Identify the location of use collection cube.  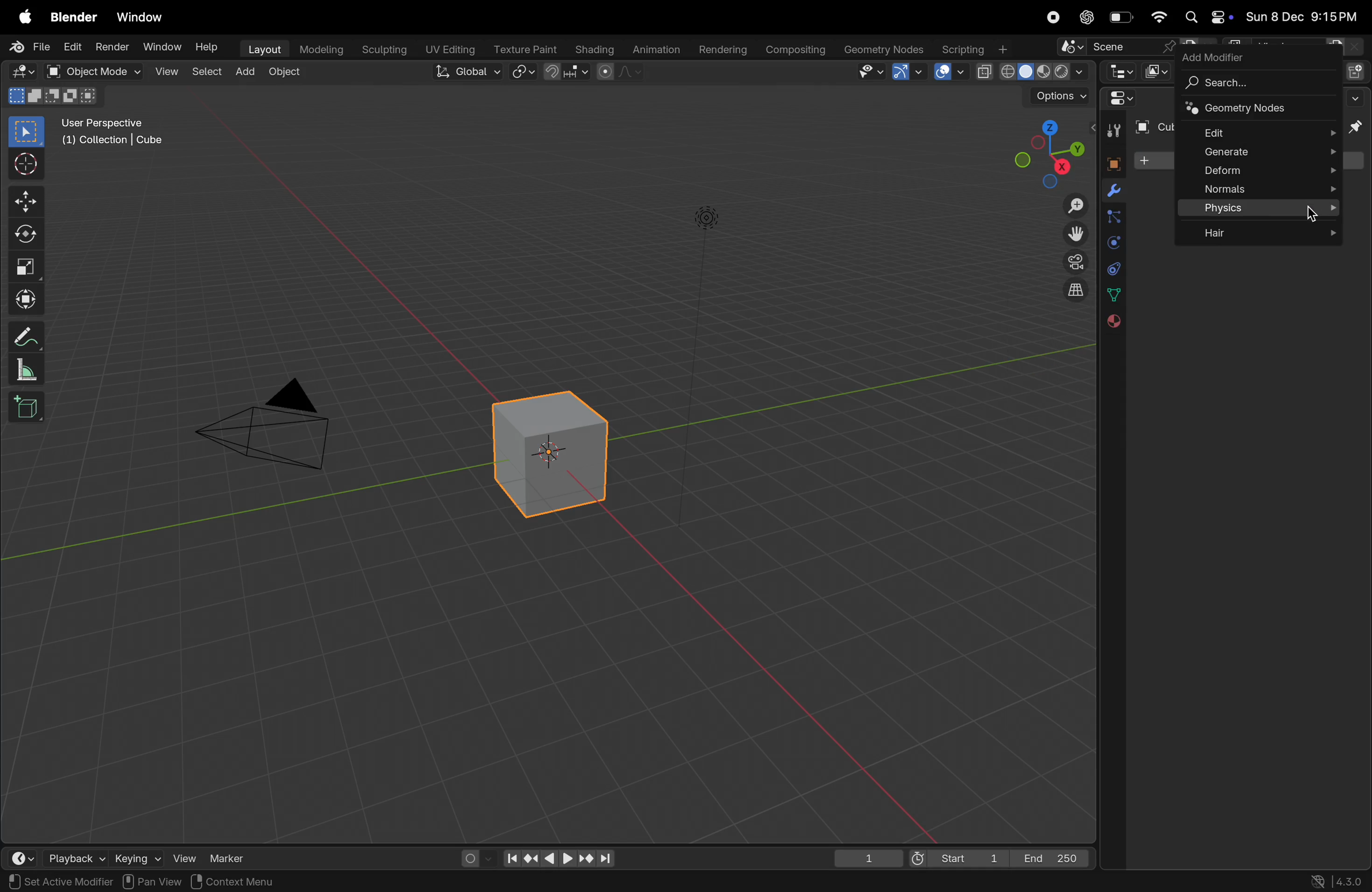
(111, 143).